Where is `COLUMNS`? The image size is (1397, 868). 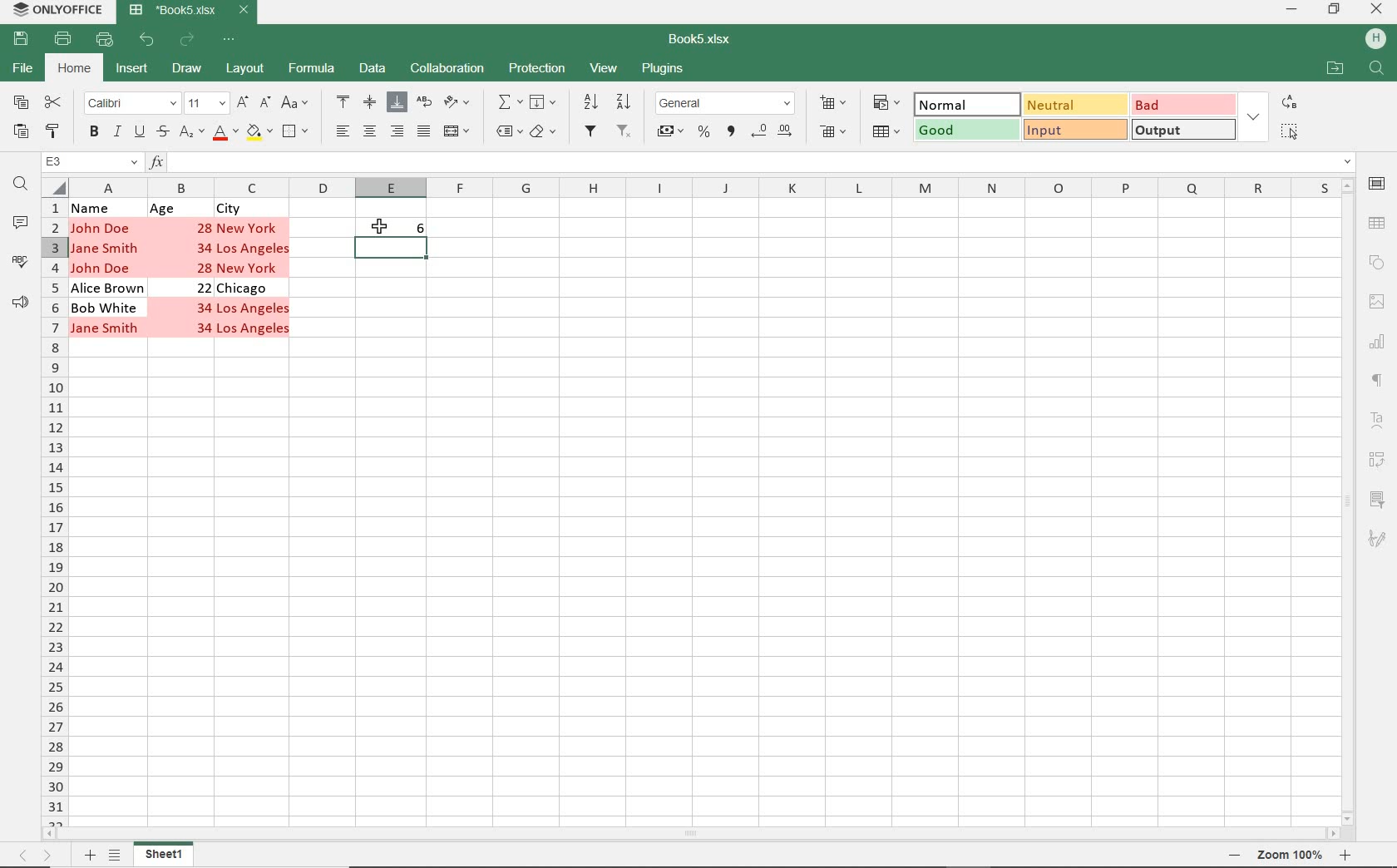
COLUMNS is located at coordinates (703, 187).